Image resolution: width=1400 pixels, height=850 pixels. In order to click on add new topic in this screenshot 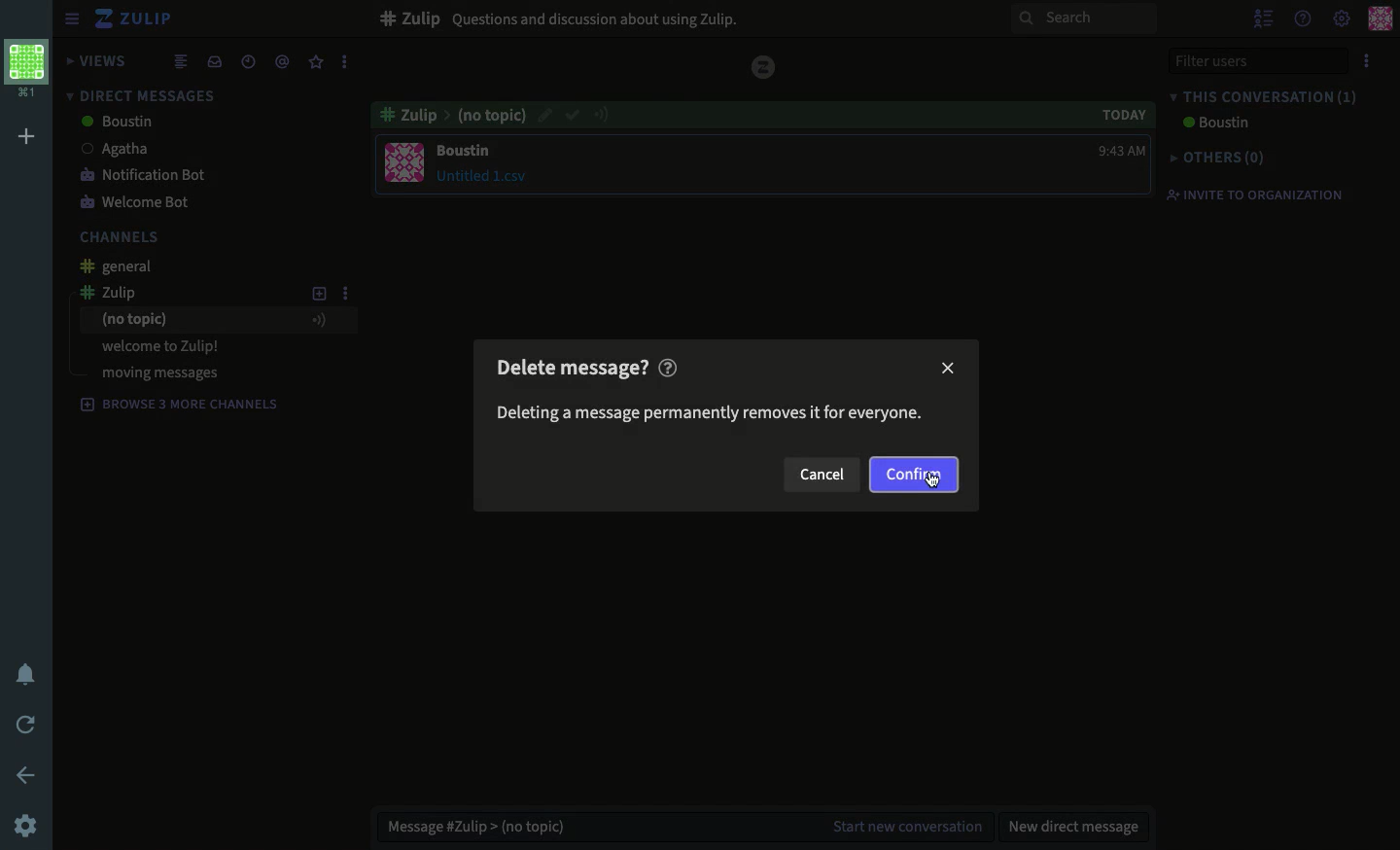, I will do `click(318, 296)`.